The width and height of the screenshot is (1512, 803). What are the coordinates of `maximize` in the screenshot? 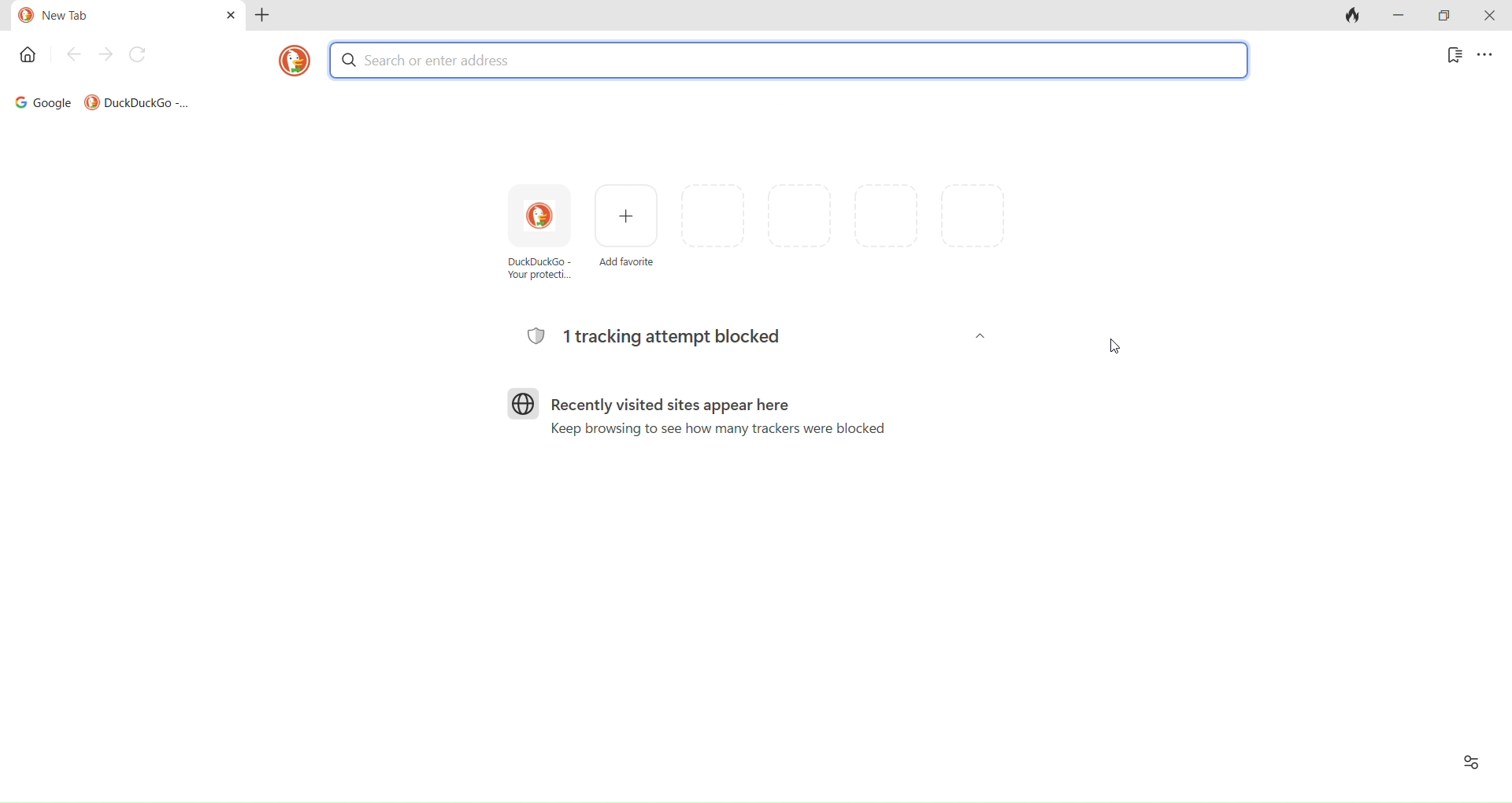 It's located at (1444, 14).